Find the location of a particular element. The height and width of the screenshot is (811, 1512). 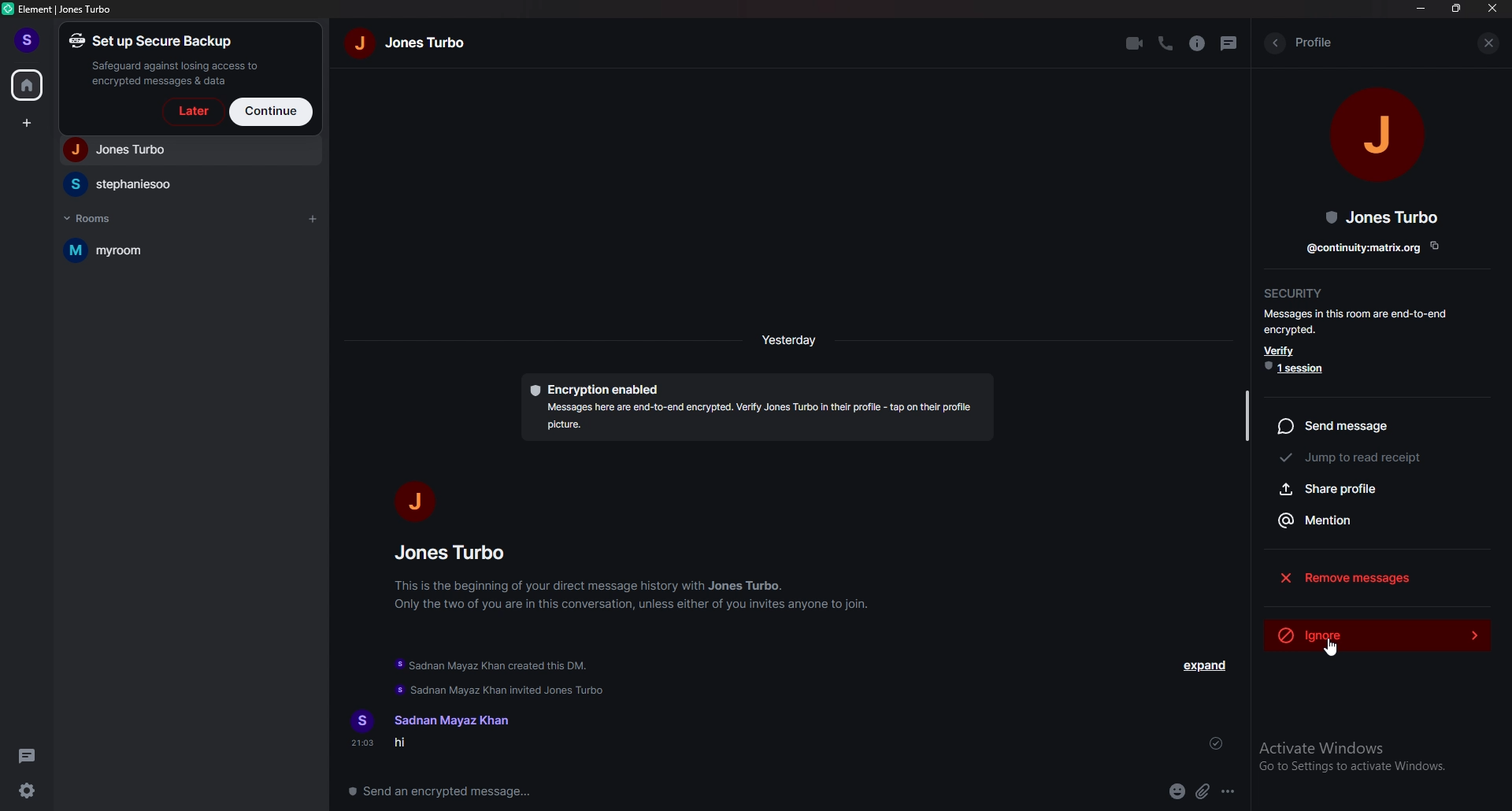

video call is located at coordinates (1133, 43).